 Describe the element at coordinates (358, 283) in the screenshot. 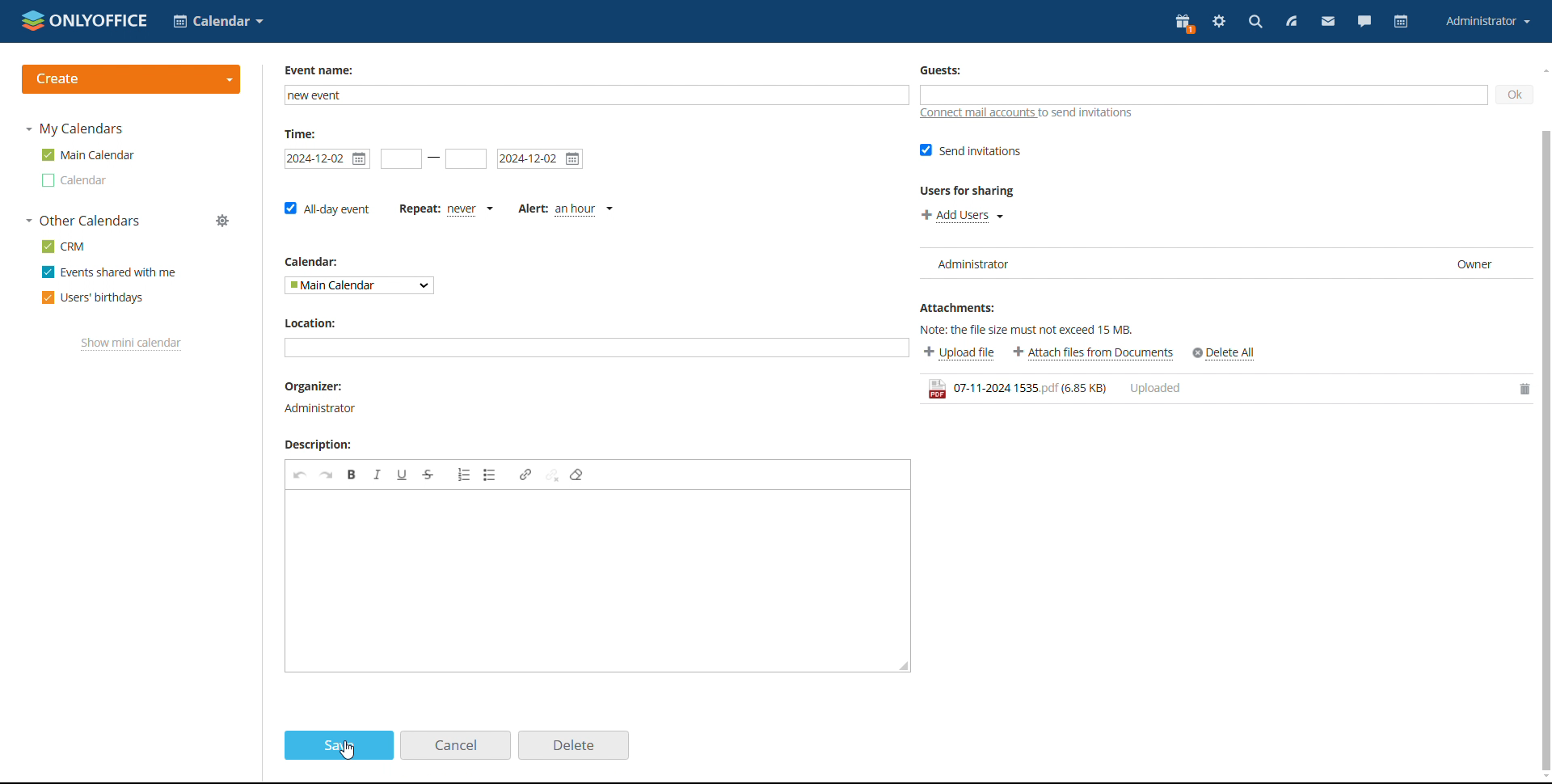

I see `select calendar` at that location.